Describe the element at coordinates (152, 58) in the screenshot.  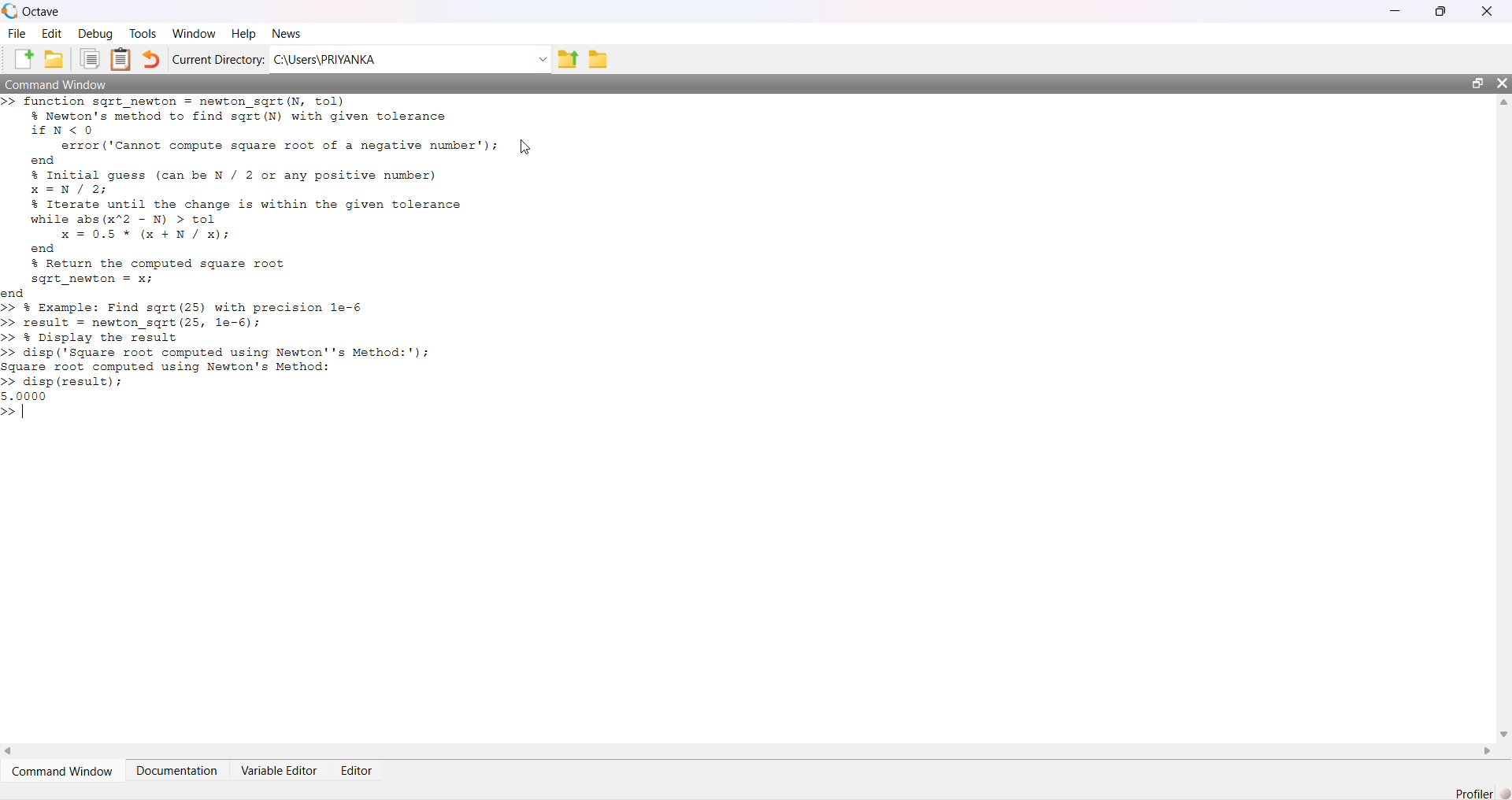
I see `Undo` at that location.